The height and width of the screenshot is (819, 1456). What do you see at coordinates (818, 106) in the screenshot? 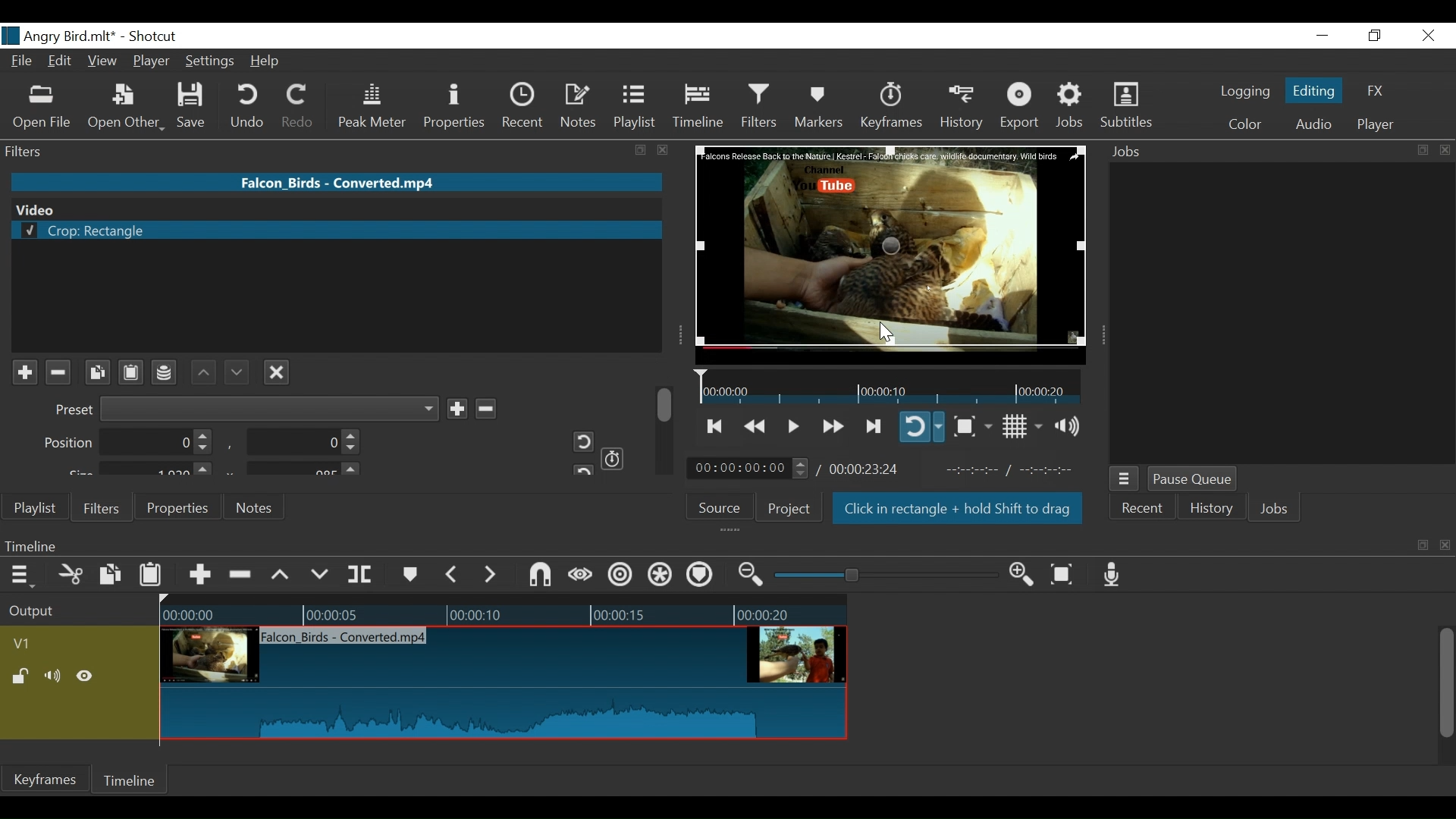
I see `Markers` at bounding box center [818, 106].